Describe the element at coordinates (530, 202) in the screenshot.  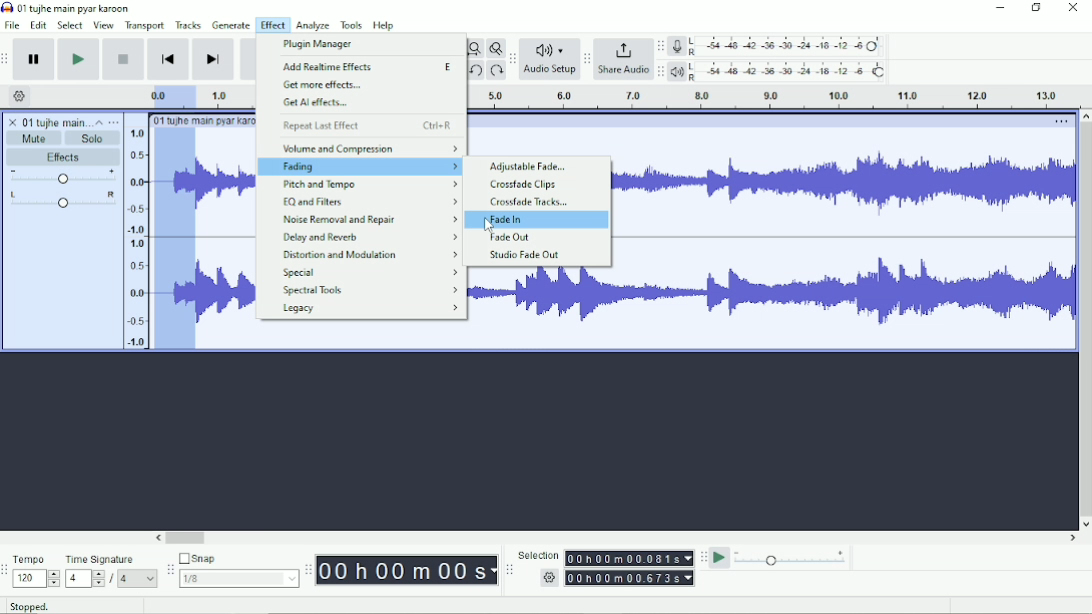
I see `Crossfade Tracks` at that location.